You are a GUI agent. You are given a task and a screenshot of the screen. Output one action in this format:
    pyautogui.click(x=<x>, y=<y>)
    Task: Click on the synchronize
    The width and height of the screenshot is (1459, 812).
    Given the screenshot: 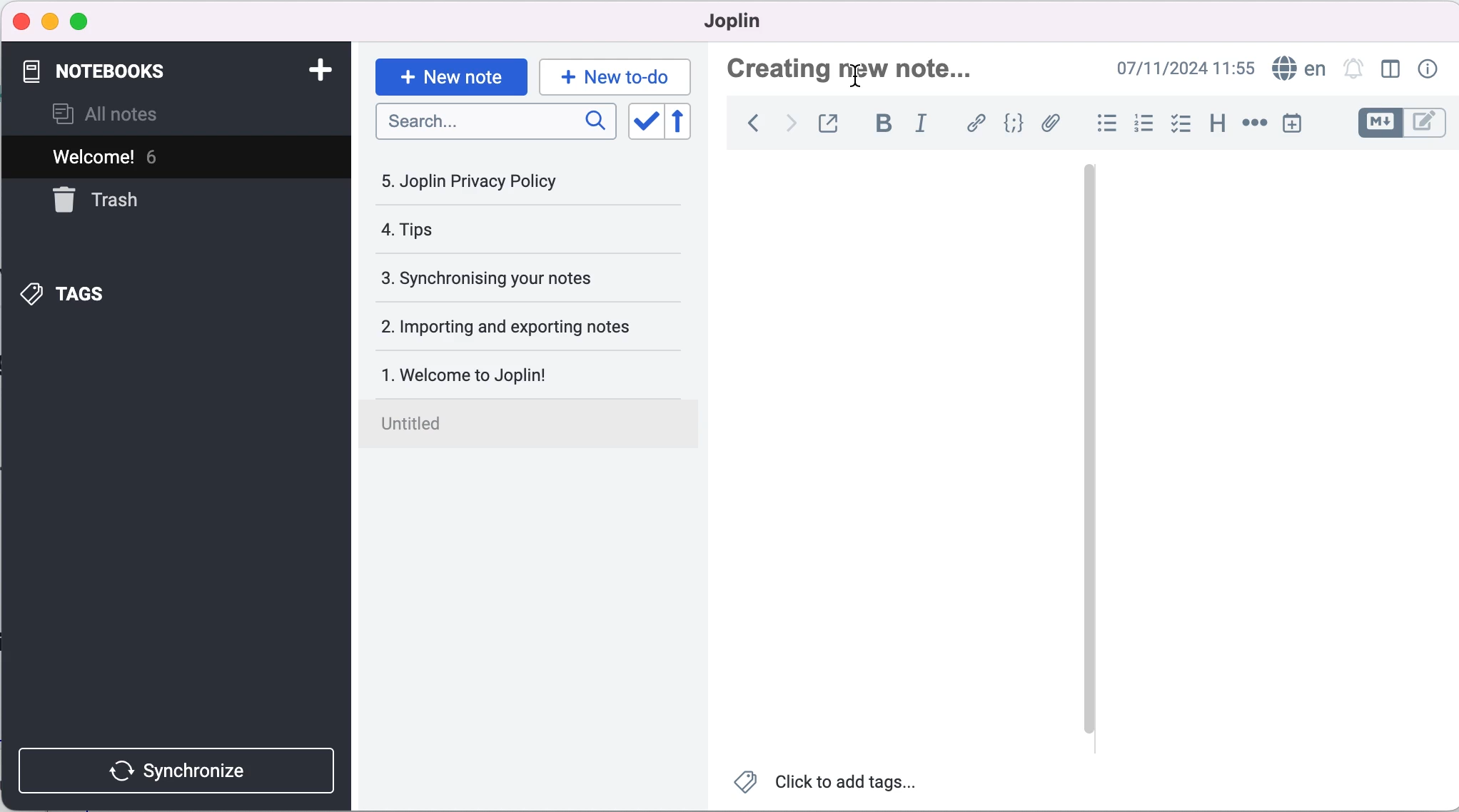 What is the action you would take?
    pyautogui.click(x=180, y=767)
    